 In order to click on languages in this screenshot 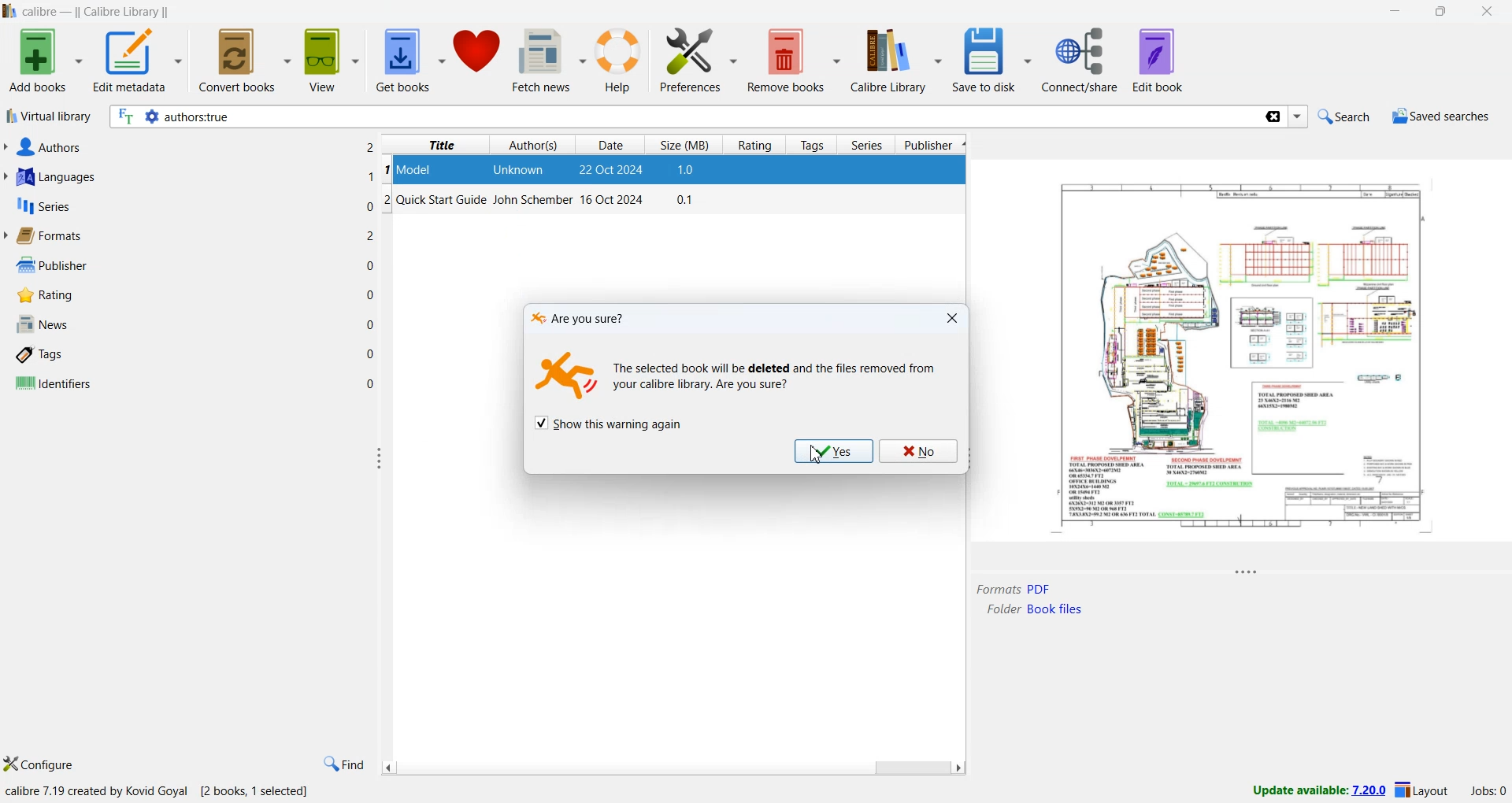, I will do `click(54, 179)`.